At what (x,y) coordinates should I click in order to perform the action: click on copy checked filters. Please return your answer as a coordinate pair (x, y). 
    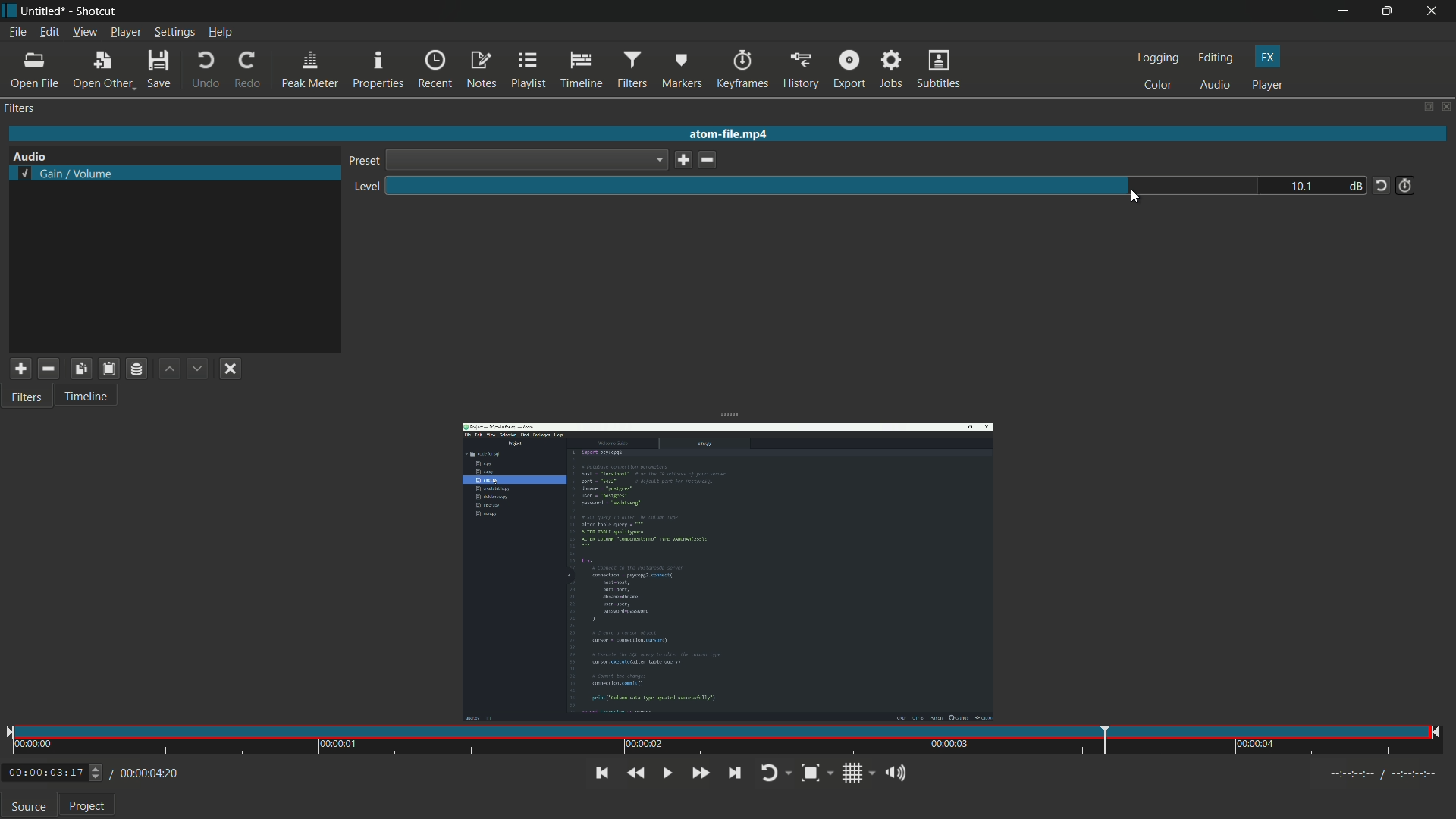
    Looking at the image, I should click on (81, 369).